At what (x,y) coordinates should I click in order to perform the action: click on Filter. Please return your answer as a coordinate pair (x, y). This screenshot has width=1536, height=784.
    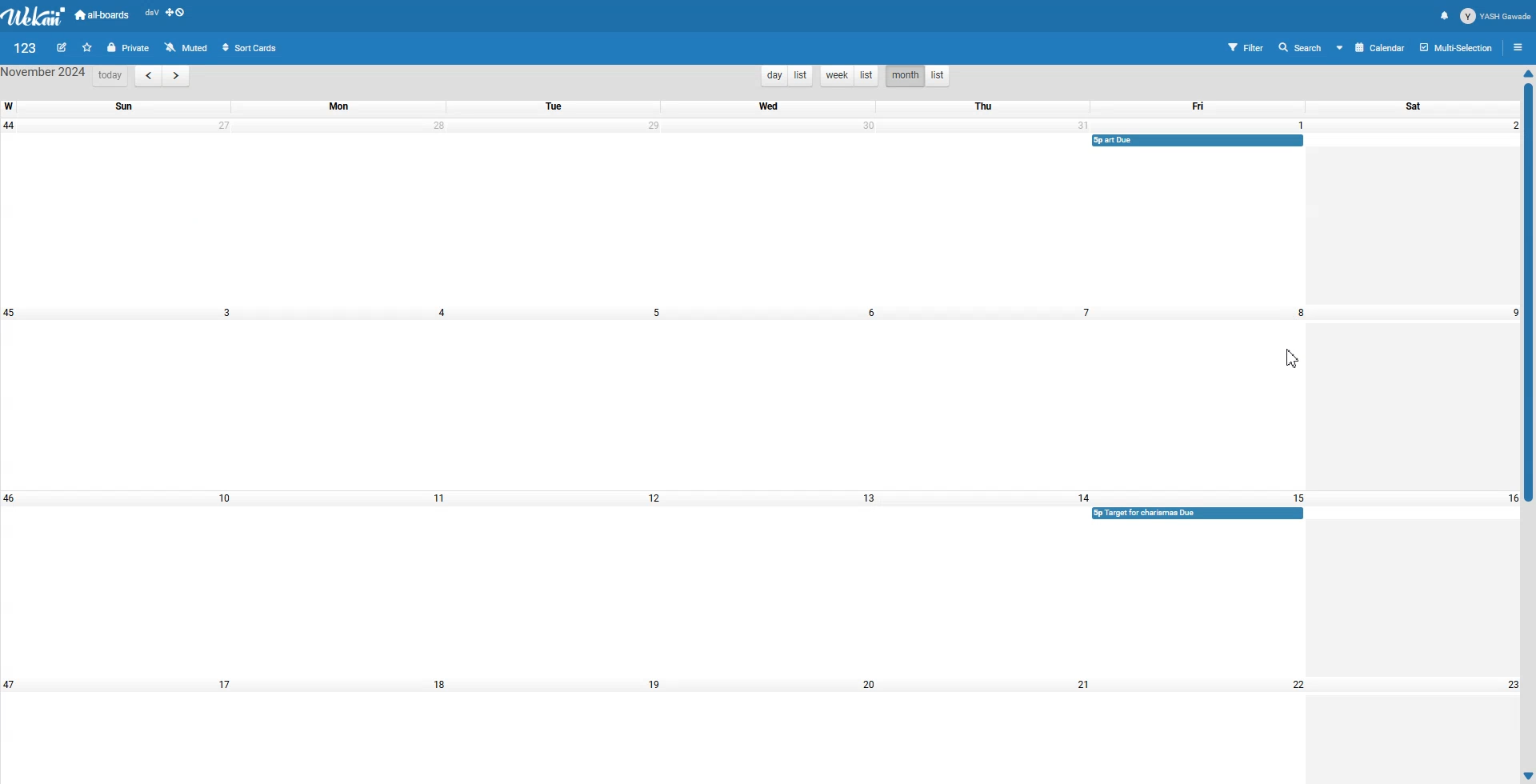
    Looking at the image, I should click on (1238, 46).